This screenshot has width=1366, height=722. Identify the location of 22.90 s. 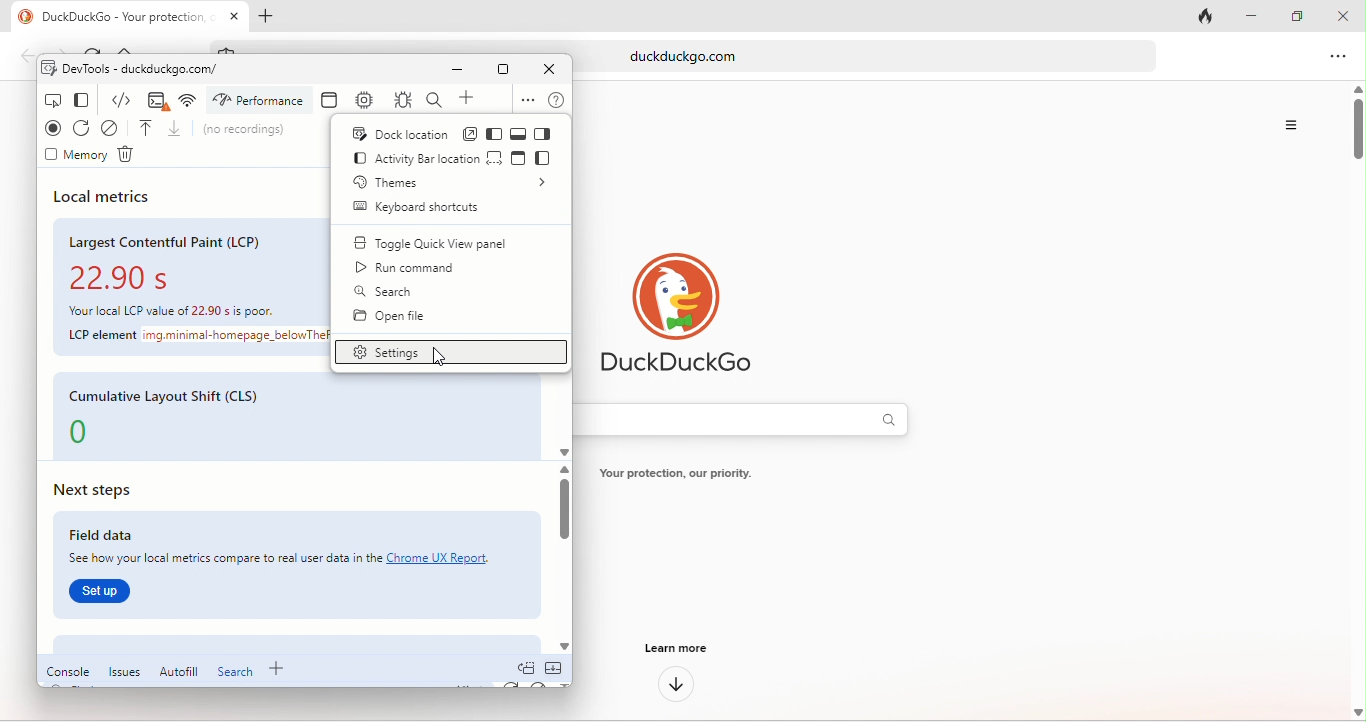
(145, 275).